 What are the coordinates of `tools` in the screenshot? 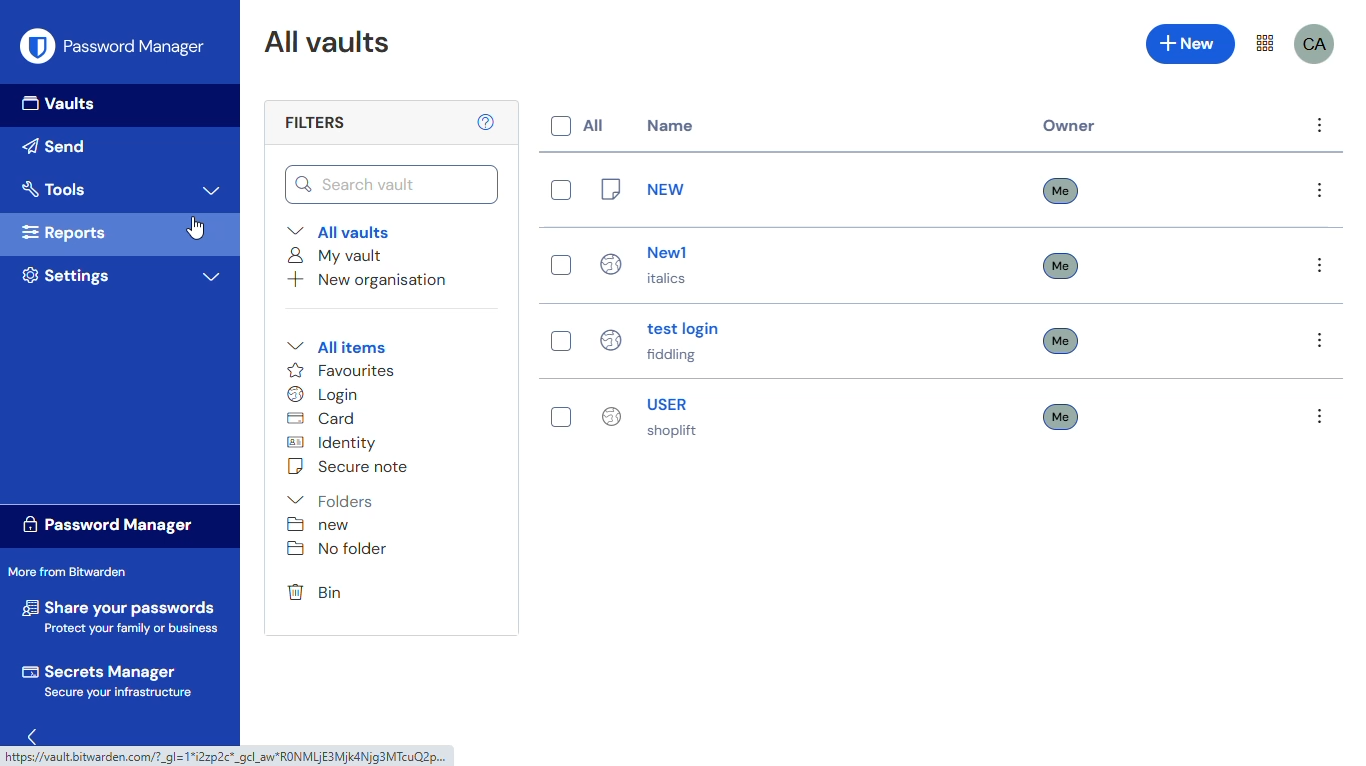 It's located at (55, 188).